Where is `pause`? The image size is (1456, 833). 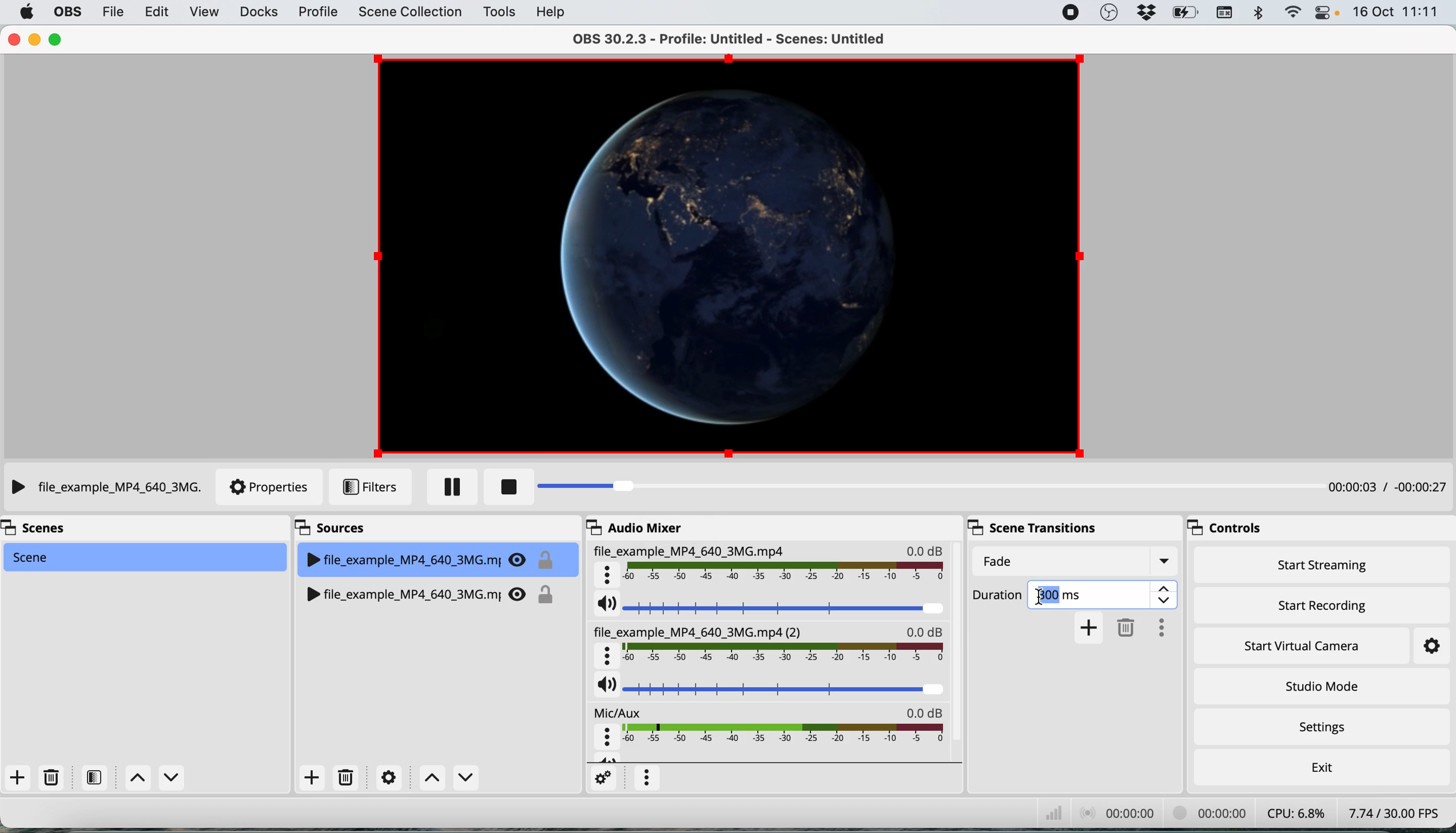
pause is located at coordinates (451, 486).